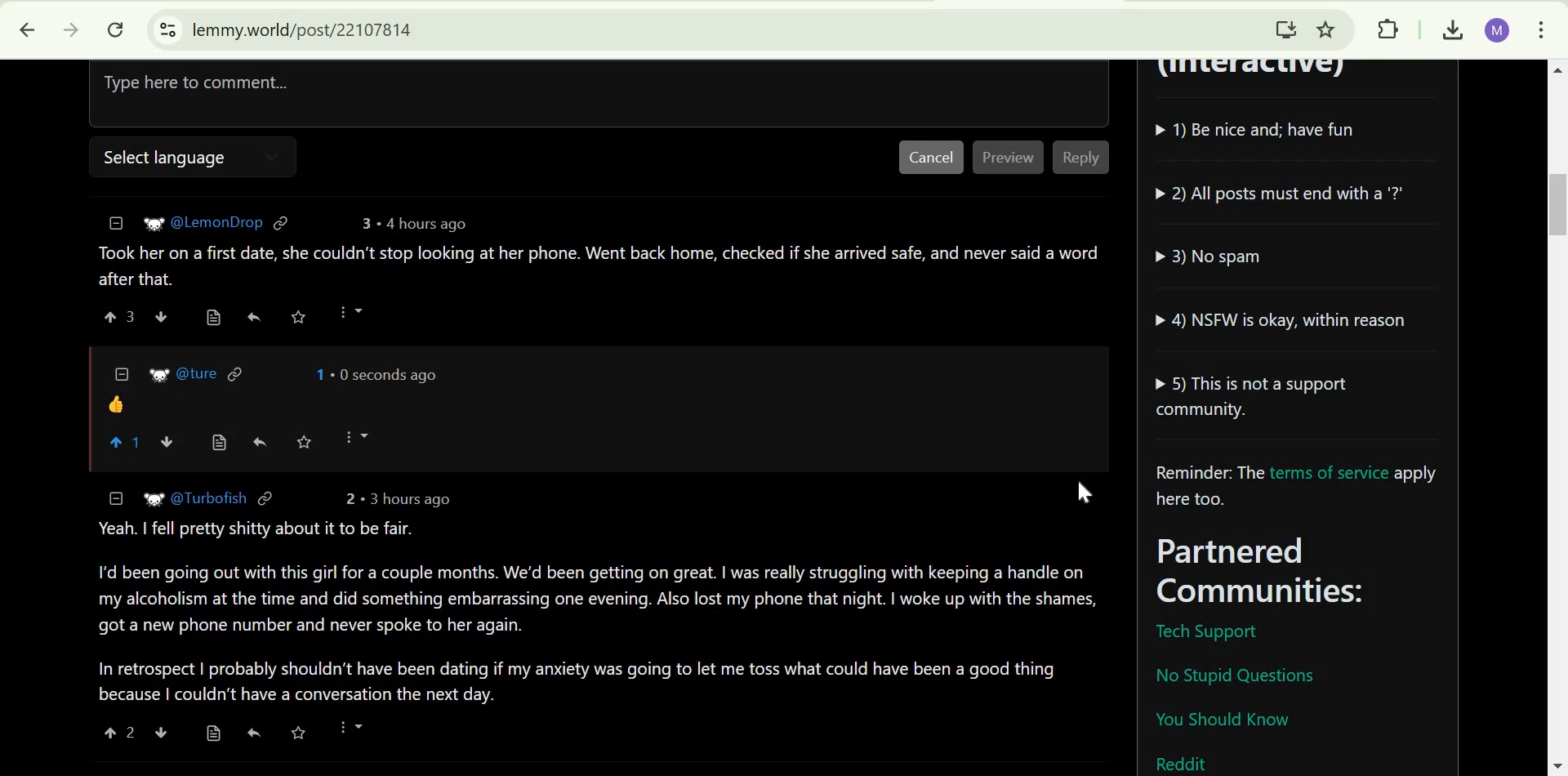 The image size is (1568, 776). Describe the element at coordinates (1258, 74) in the screenshot. I see `(Interactive)` at that location.